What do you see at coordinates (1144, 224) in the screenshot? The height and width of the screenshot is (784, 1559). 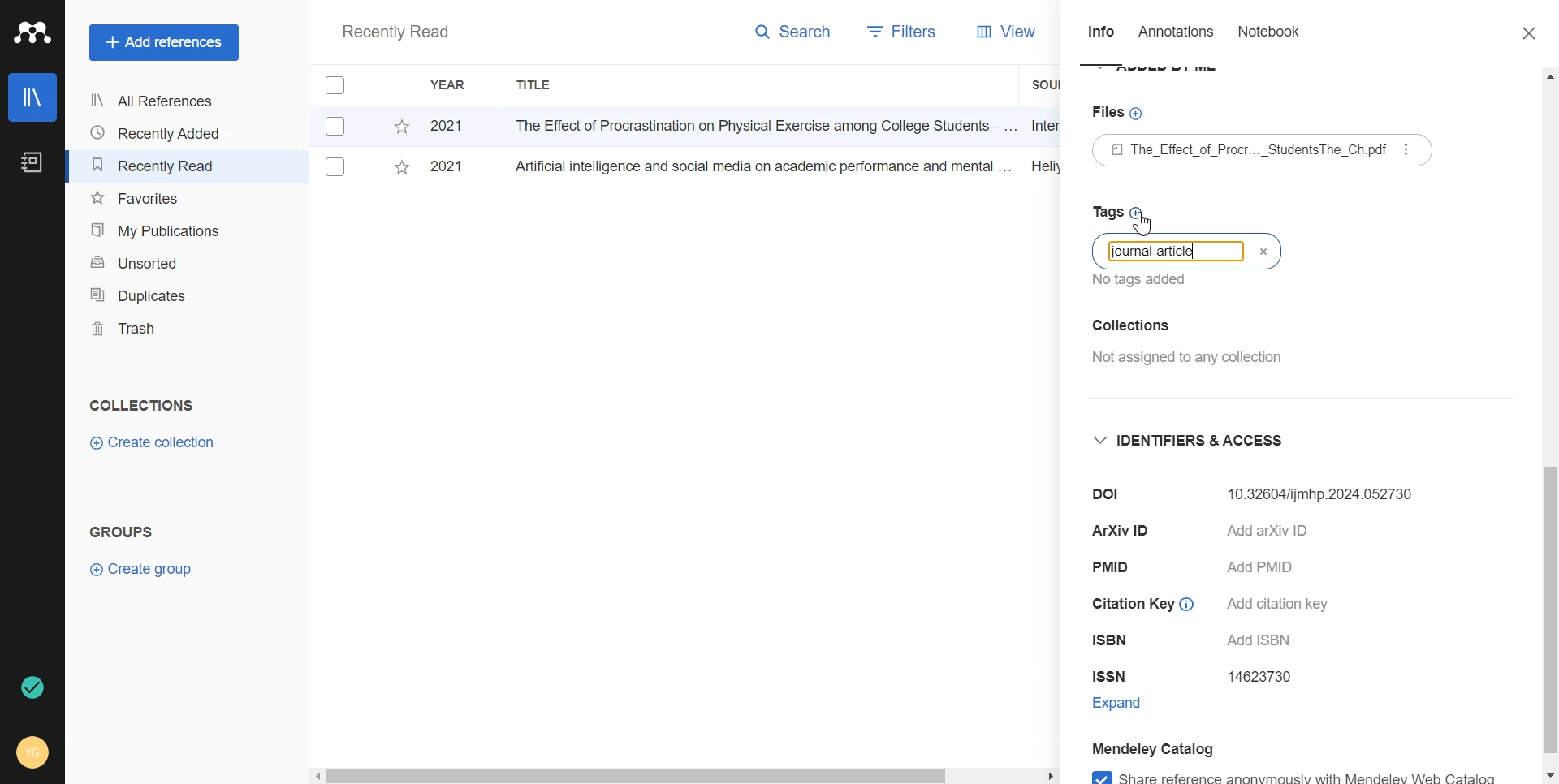 I see `Cursor` at bounding box center [1144, 224].